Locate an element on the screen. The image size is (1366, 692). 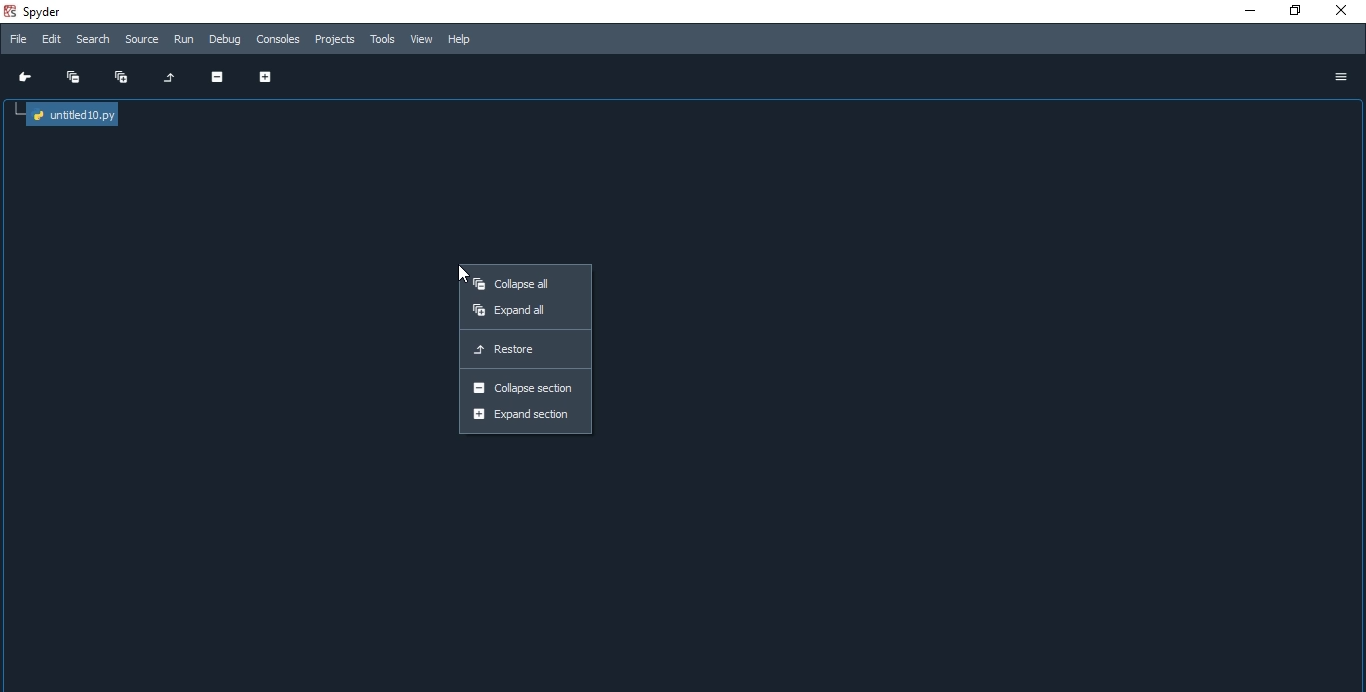
untitled file tree is located at coordinates (75, 113).